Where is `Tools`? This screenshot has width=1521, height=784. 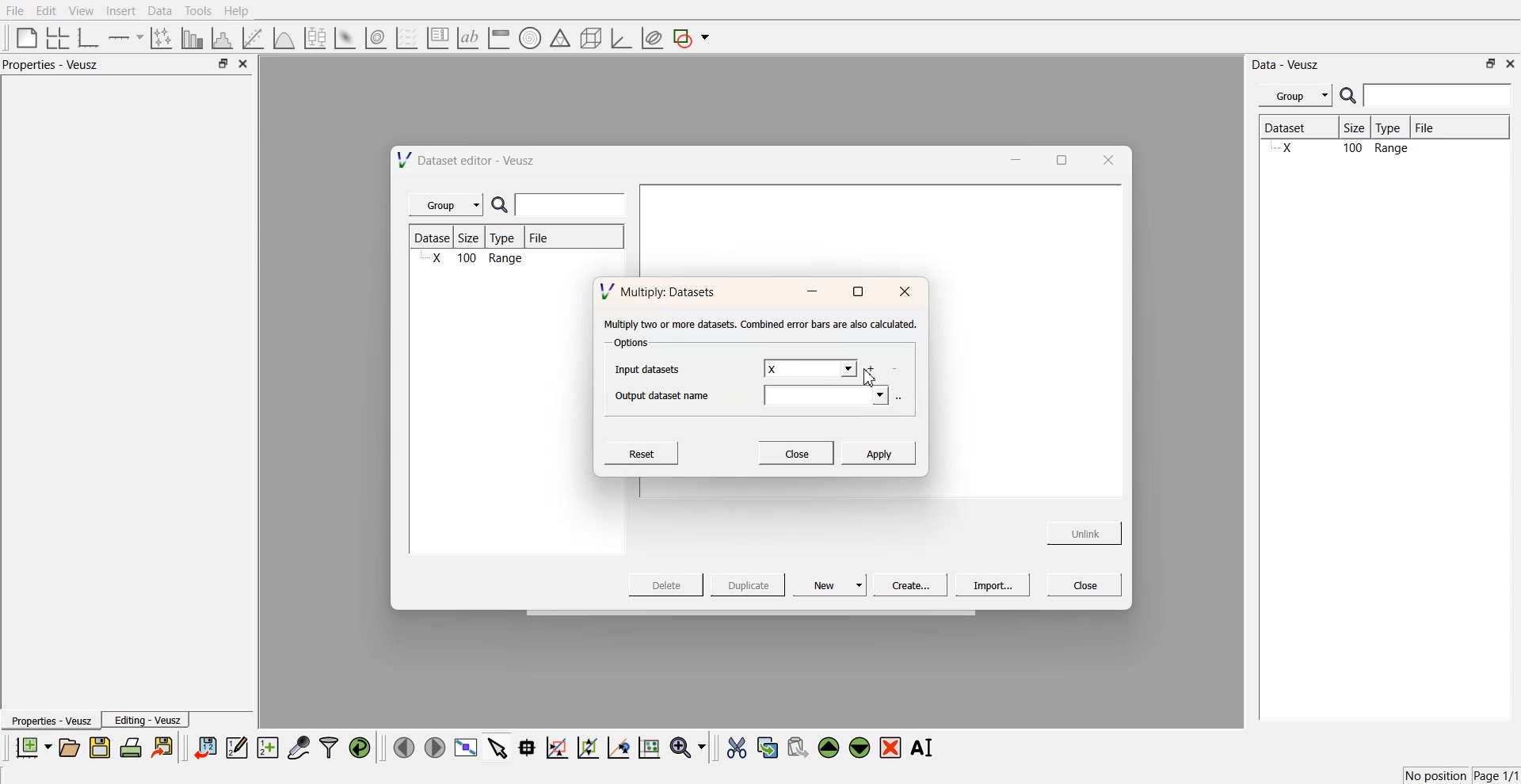 Tools is located at coordinates (196, 10).